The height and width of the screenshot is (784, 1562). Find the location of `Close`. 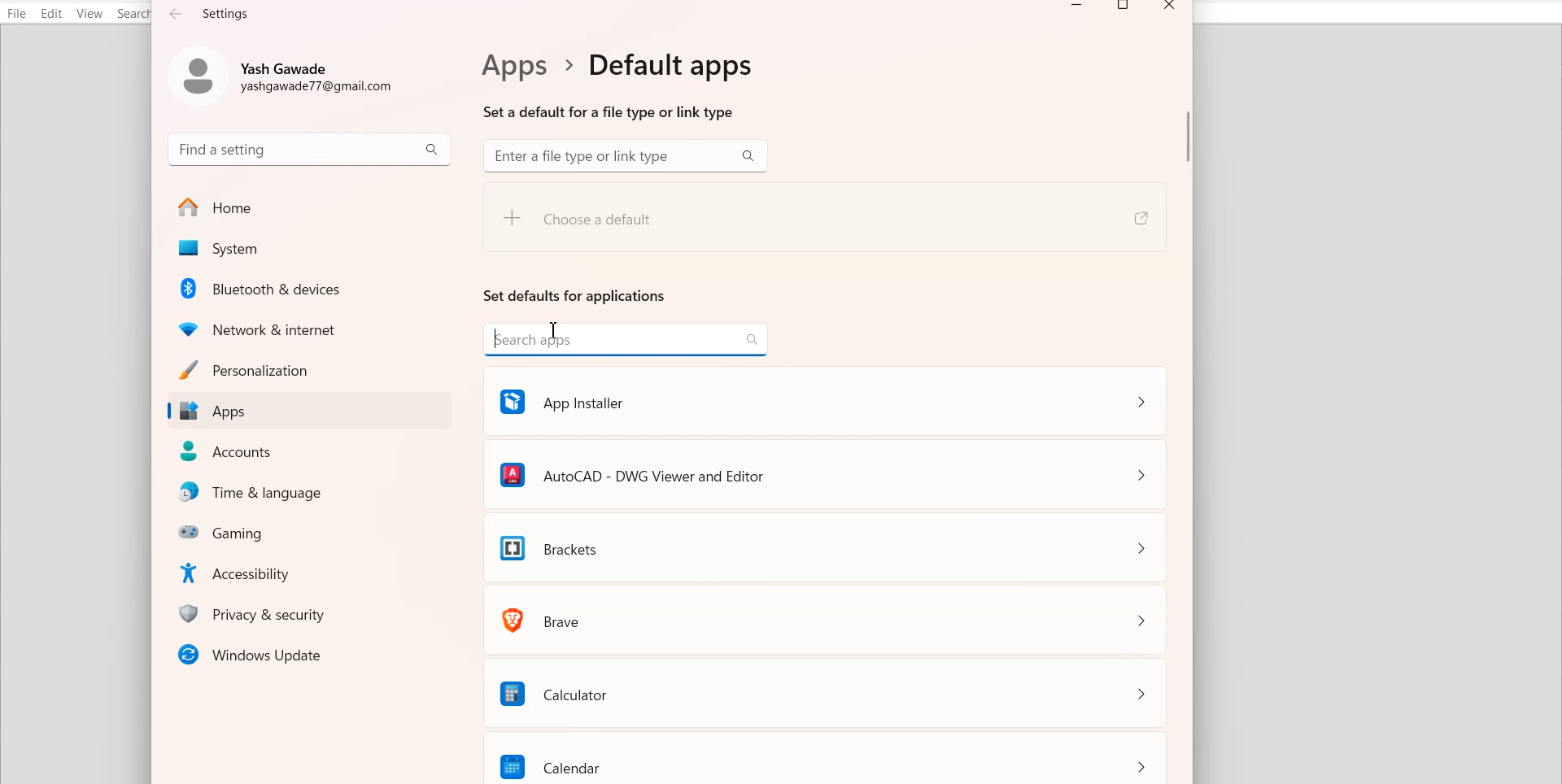

Close is located at coordinates (1169, 8).